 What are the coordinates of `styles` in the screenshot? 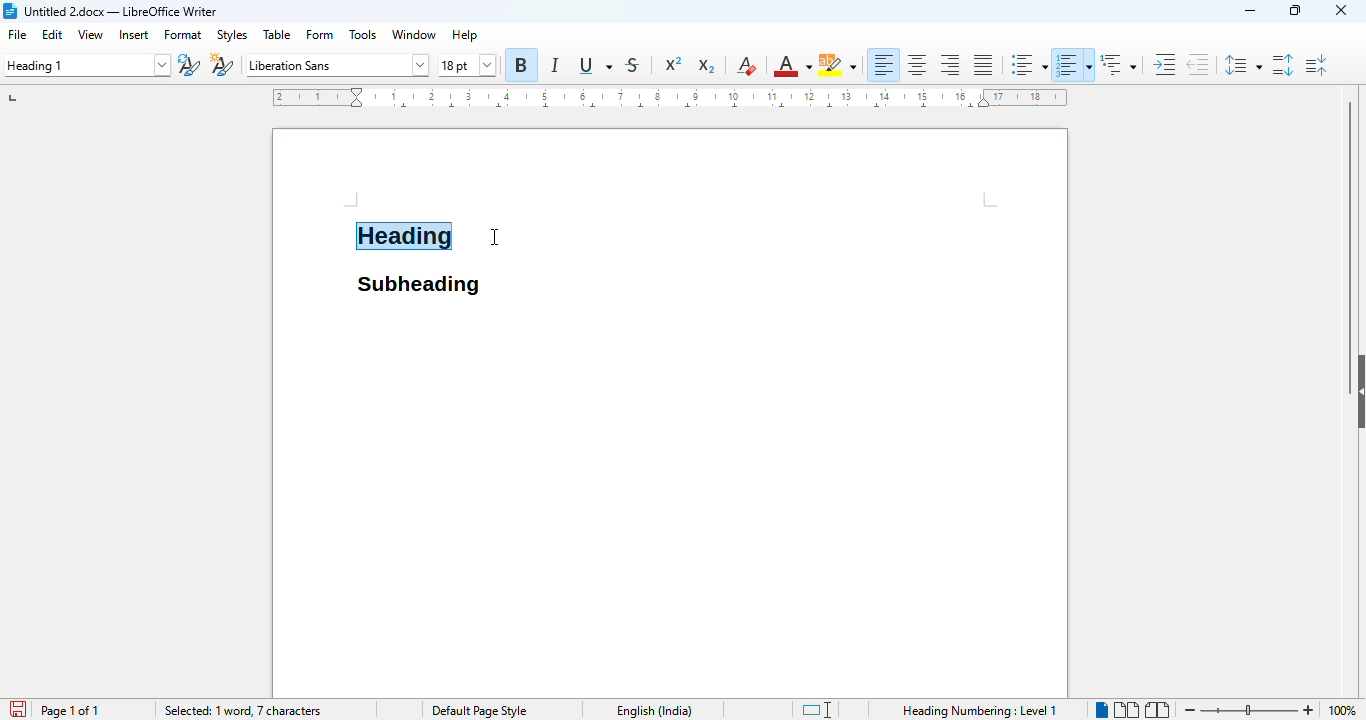 It's located at (232, 36).